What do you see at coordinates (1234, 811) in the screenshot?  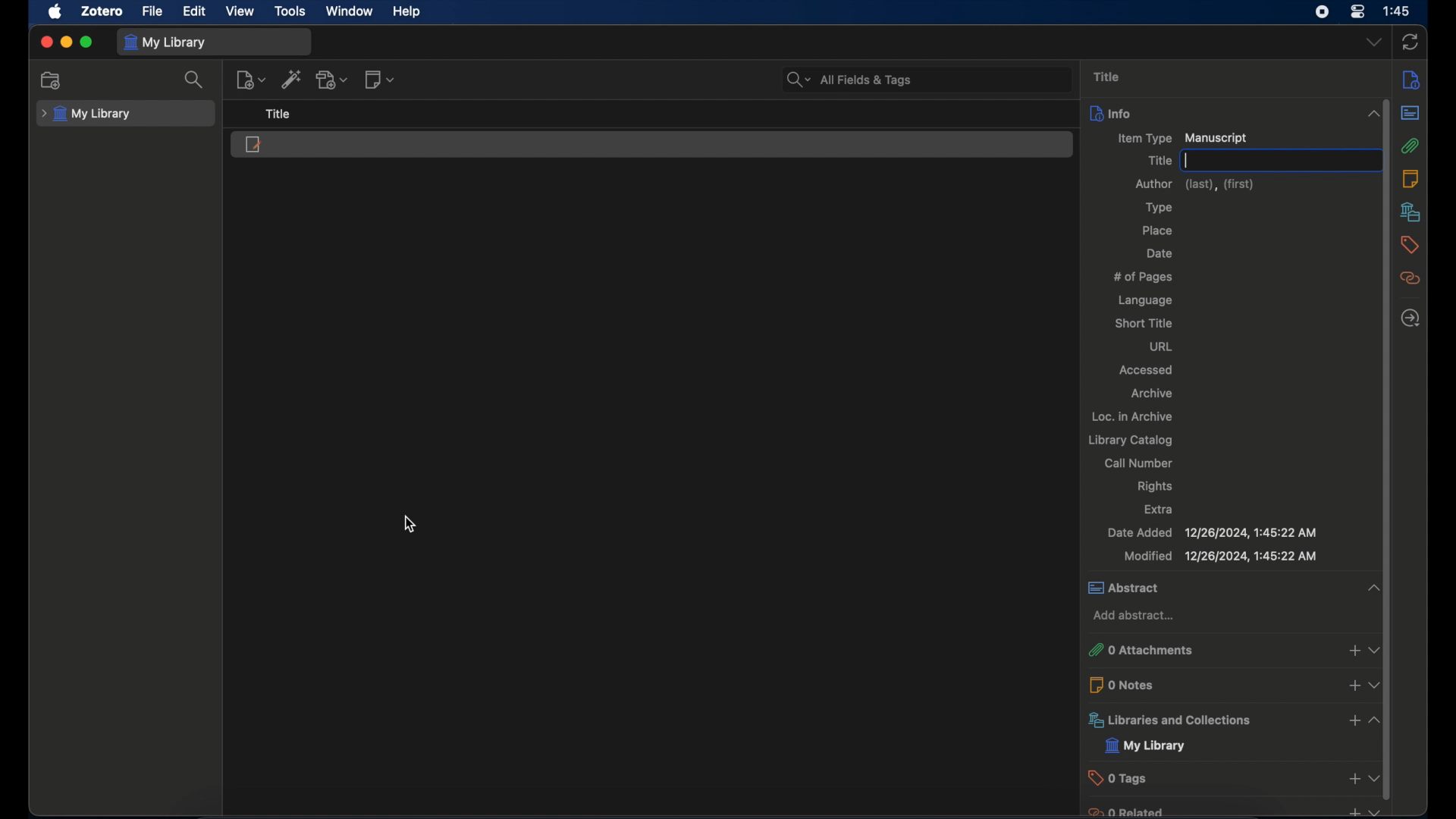 I see `0 related` at bounding box center [1234, 811].